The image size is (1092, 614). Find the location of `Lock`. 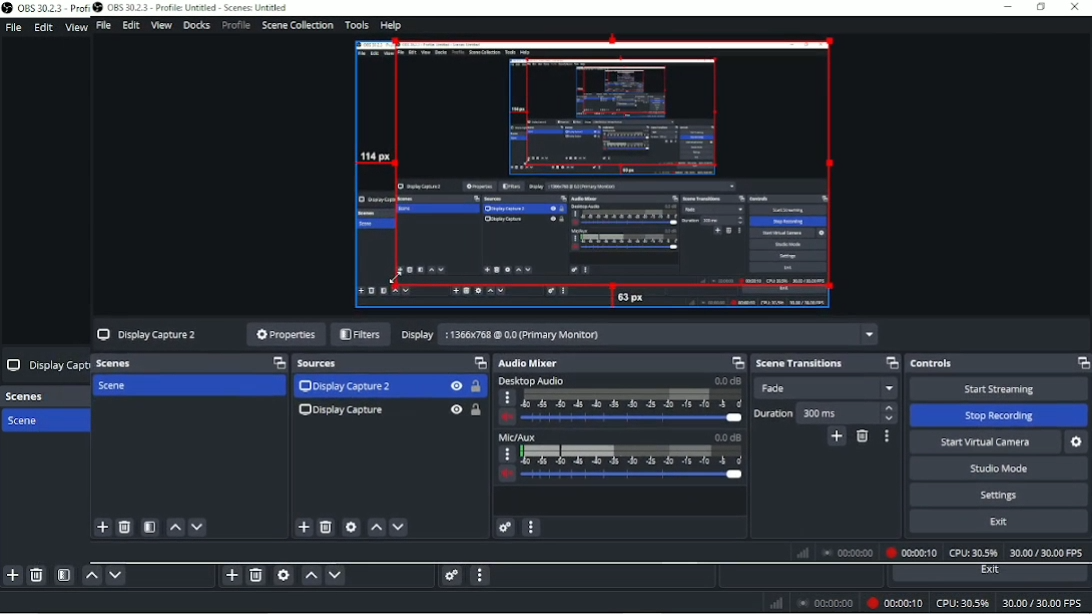

Lock is located at coordinates (479, 387).